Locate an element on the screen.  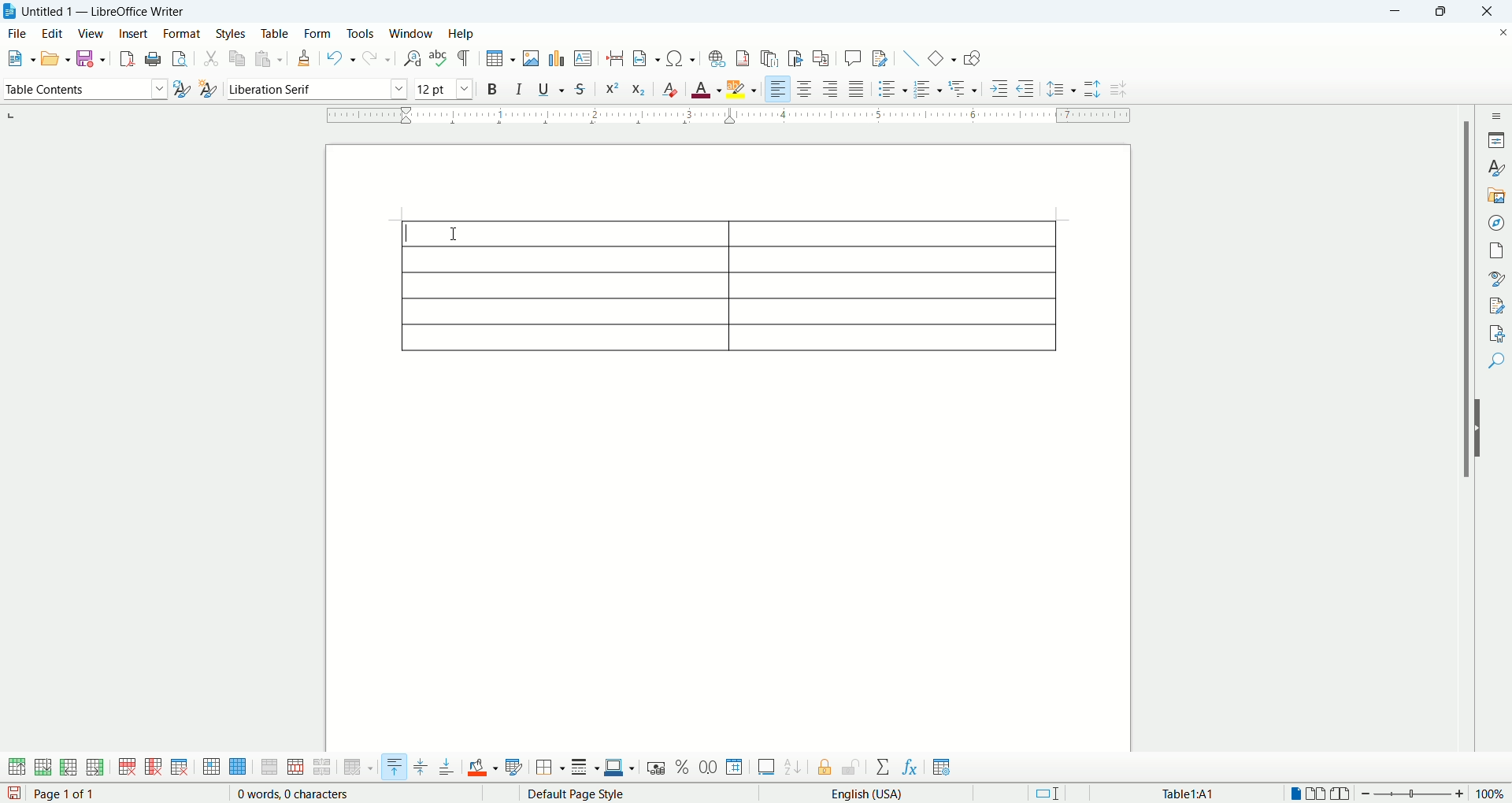
standar selection is located at coordinates (1051, 794).